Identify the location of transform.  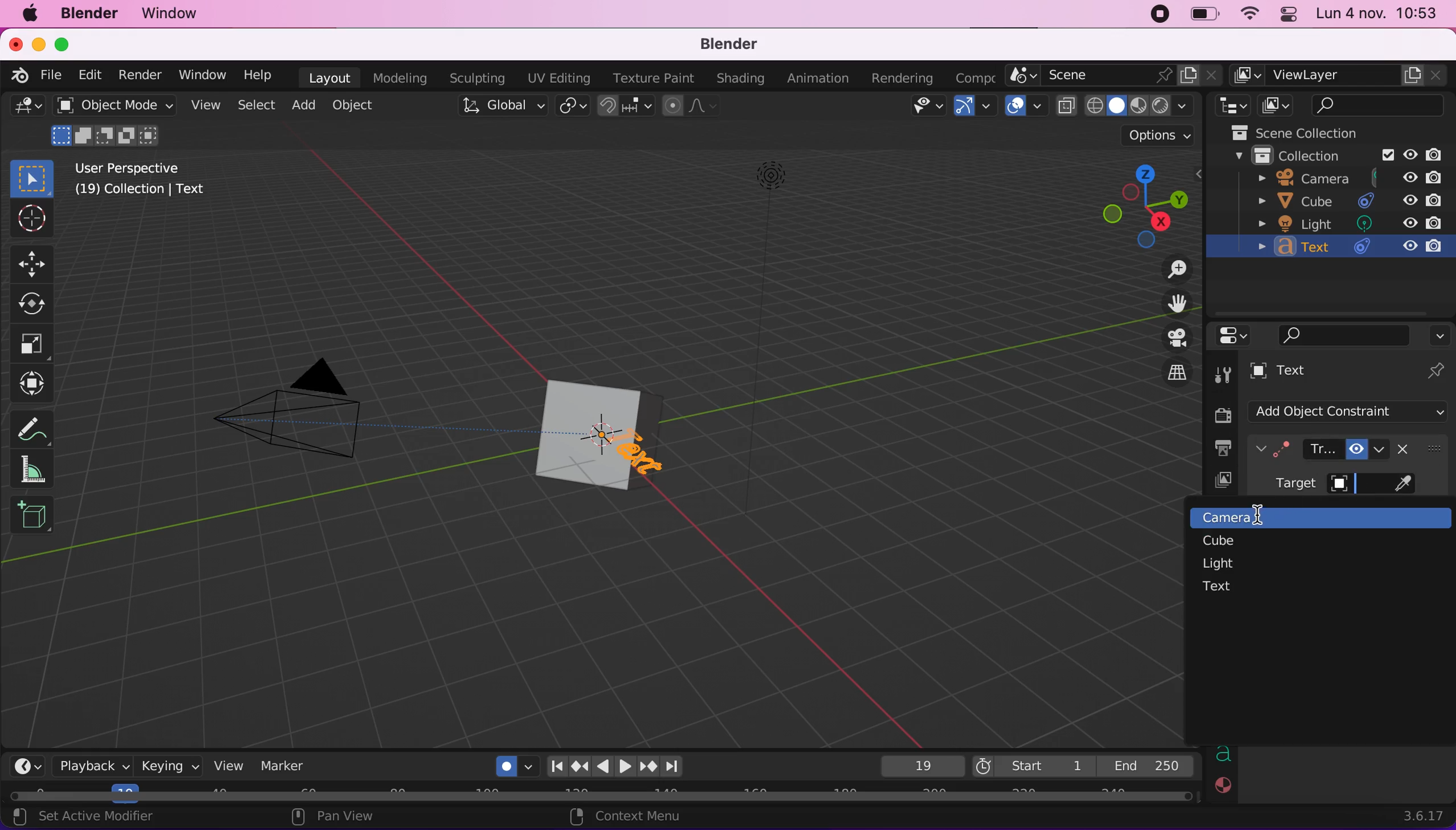
(31, 385).